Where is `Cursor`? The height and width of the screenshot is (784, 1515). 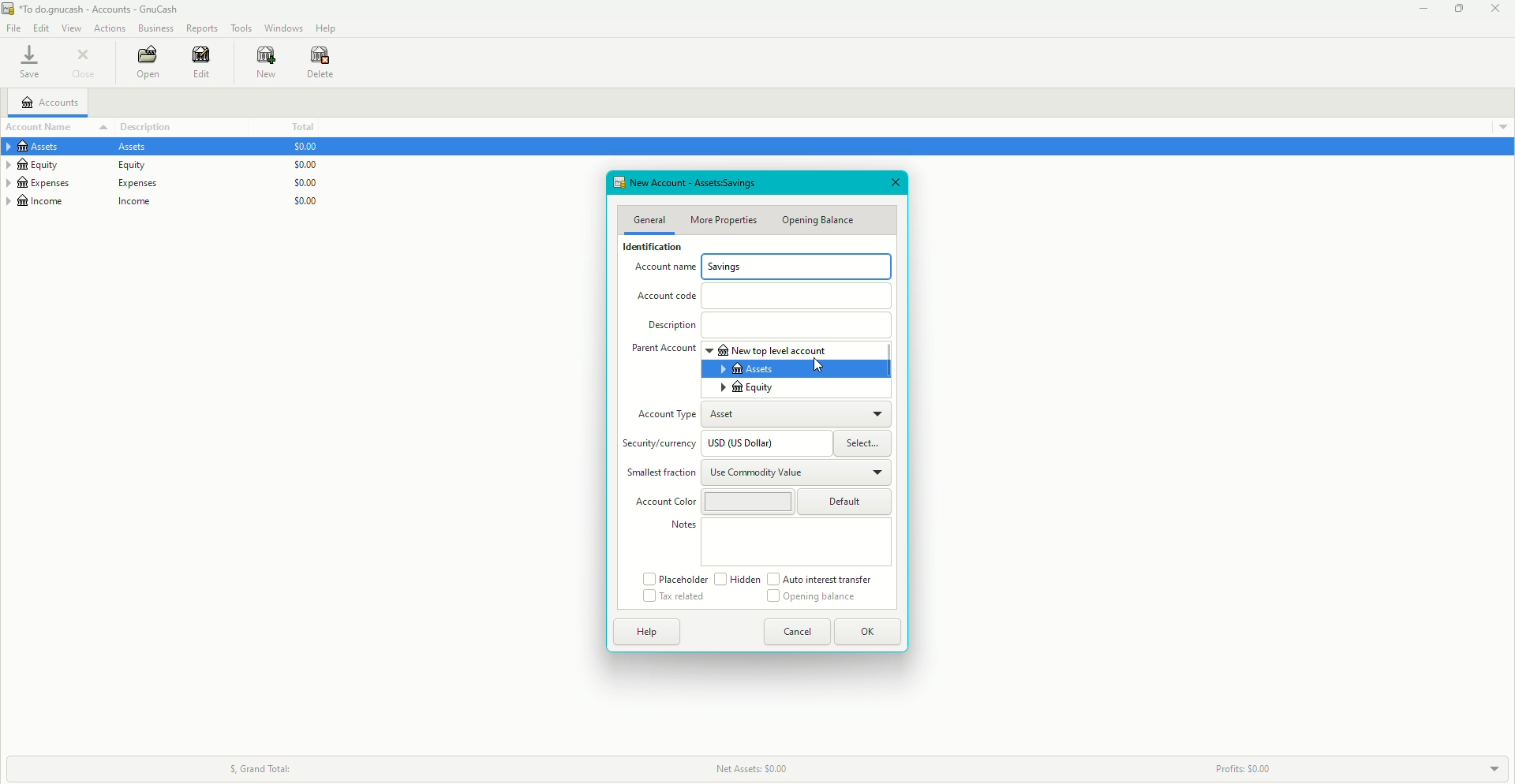
Cursor is located at coordinates (817, 366).